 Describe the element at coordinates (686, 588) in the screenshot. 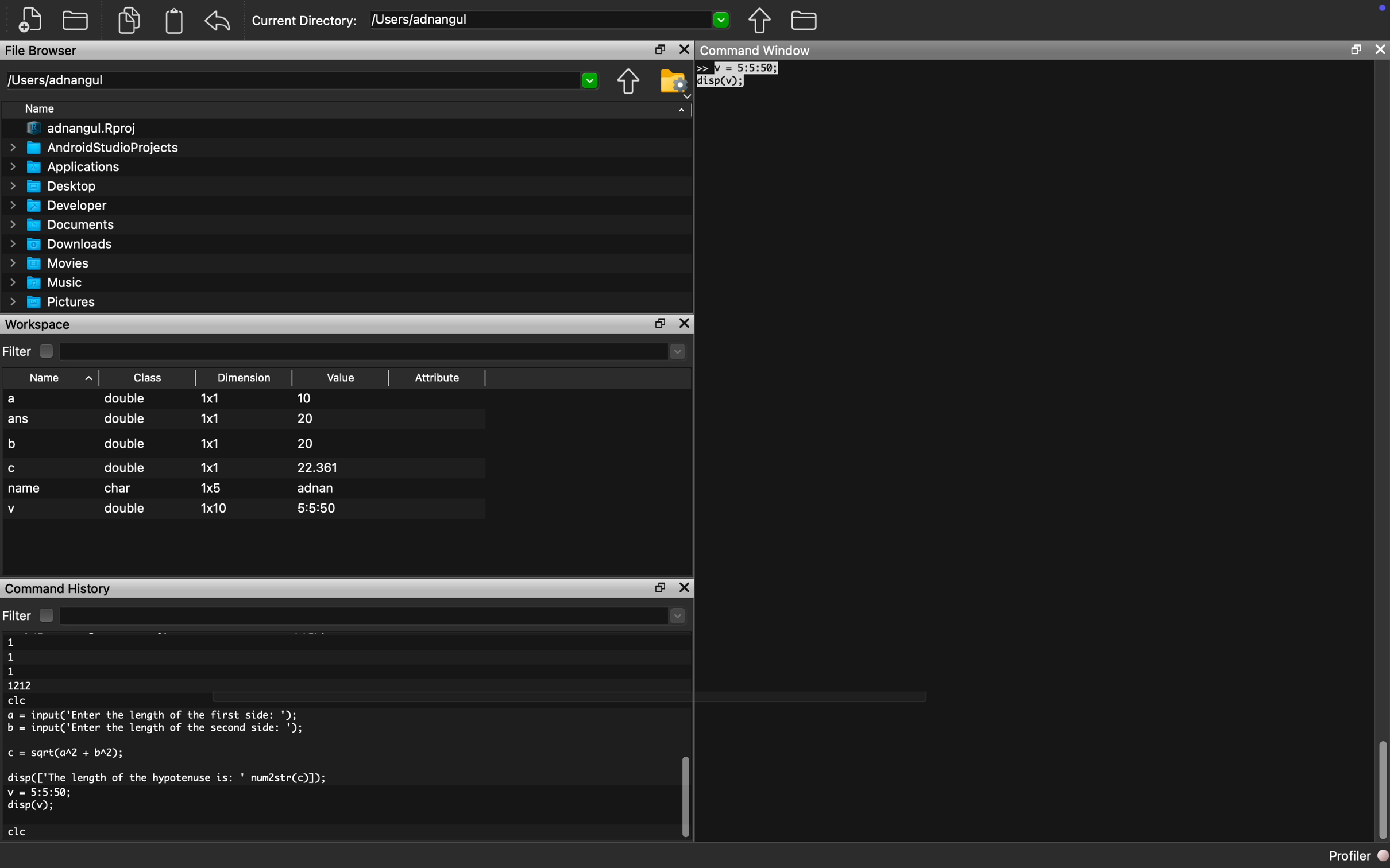

I see `close` at that location.